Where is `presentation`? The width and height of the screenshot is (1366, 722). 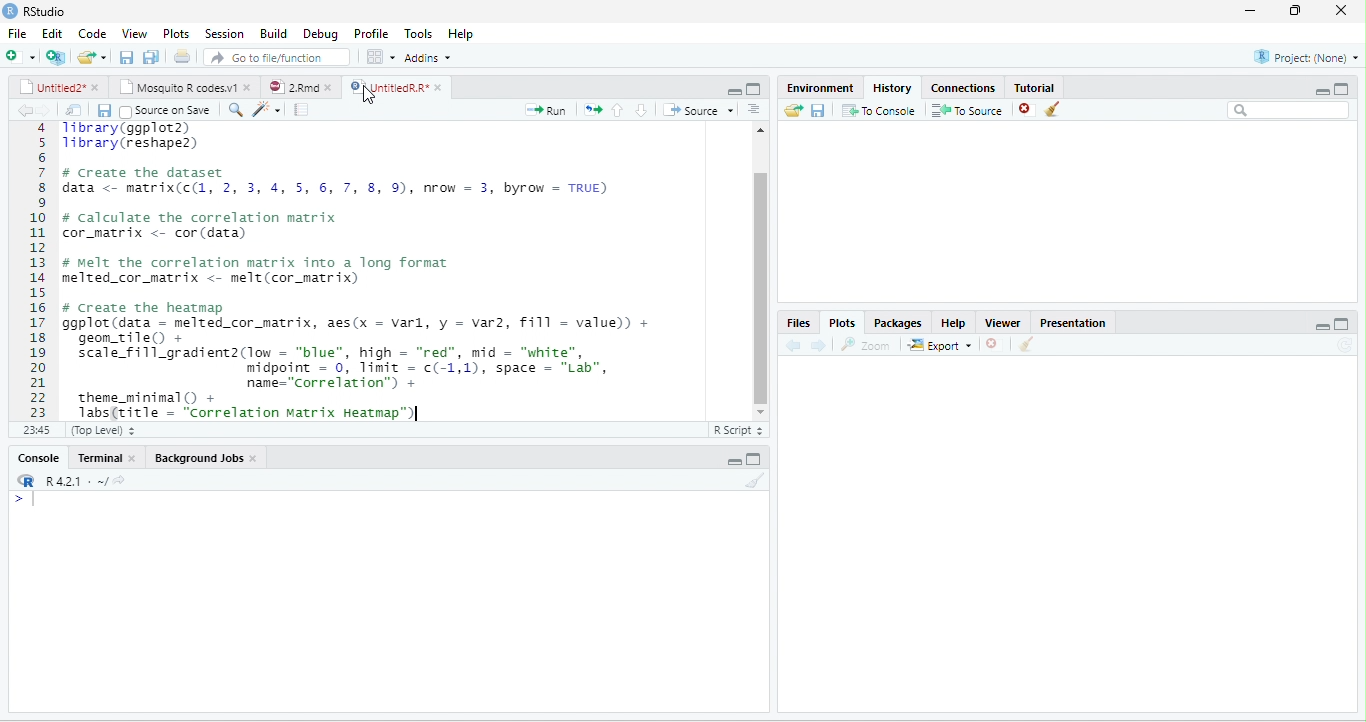
presentation is located at coordinates (1077, 320).